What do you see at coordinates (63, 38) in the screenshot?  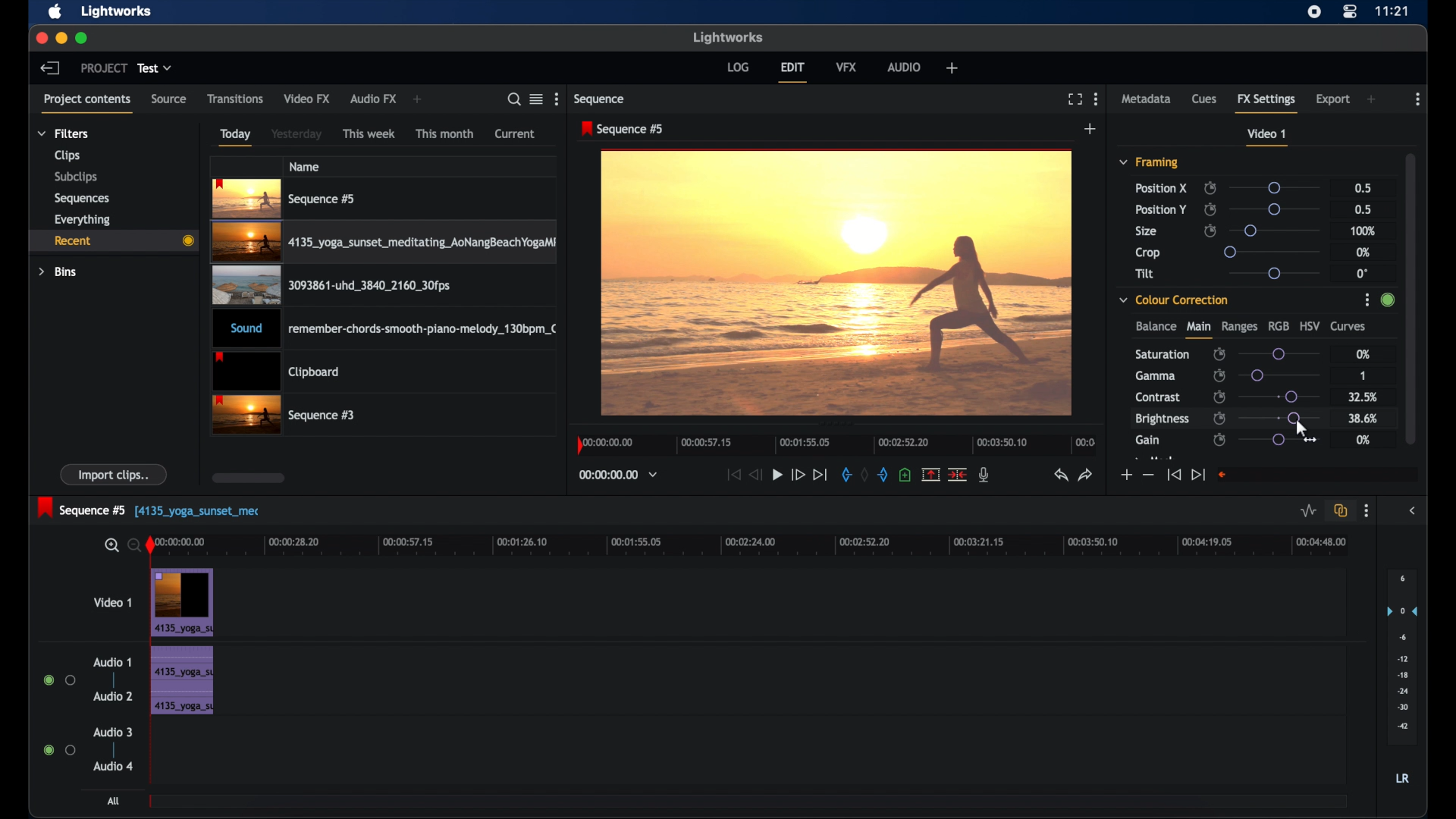 I see `minimize` at bounding box center [63, 38].